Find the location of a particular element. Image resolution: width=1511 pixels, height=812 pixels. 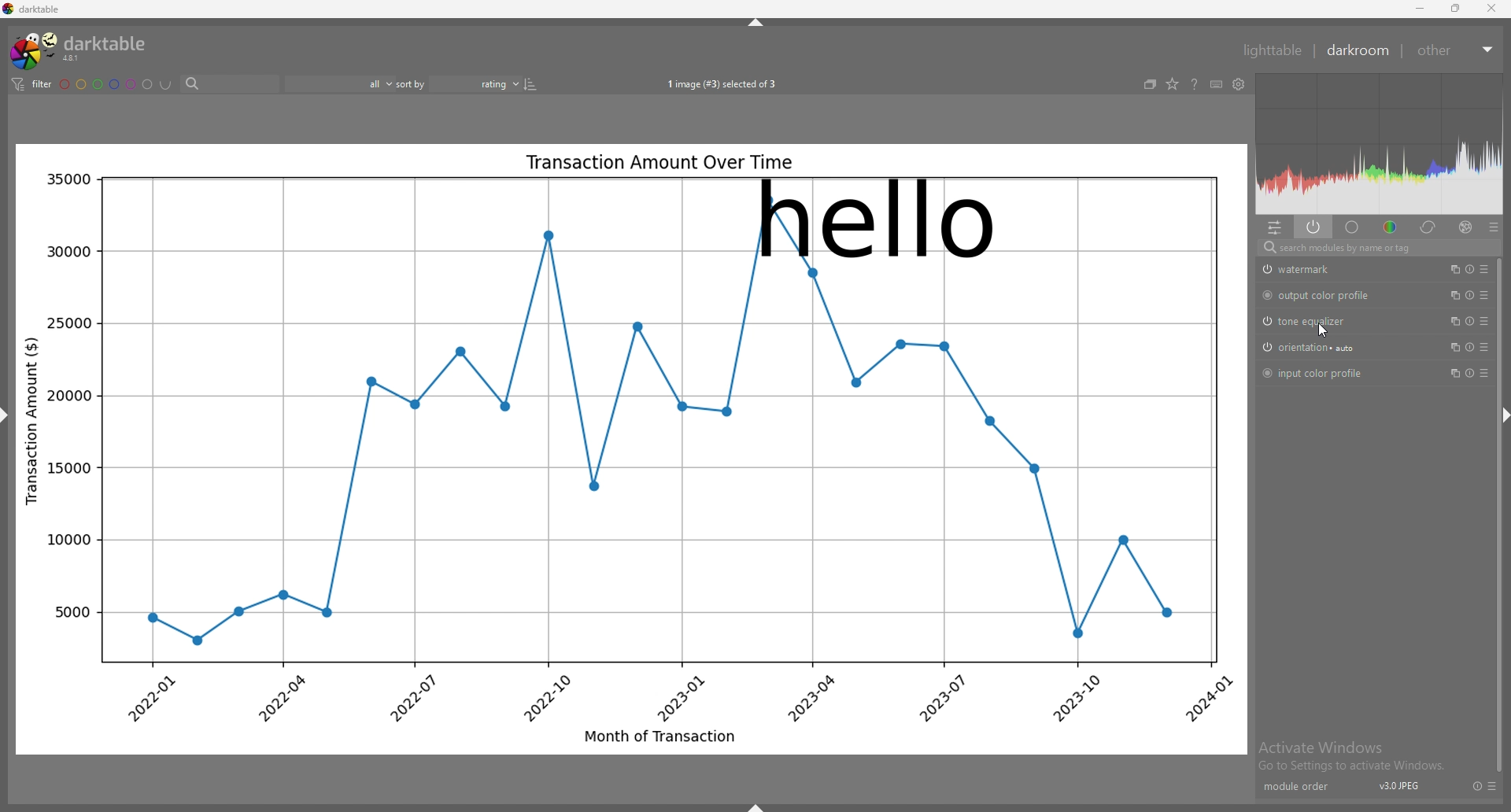

minimize is located at coordinates (1420, 9).